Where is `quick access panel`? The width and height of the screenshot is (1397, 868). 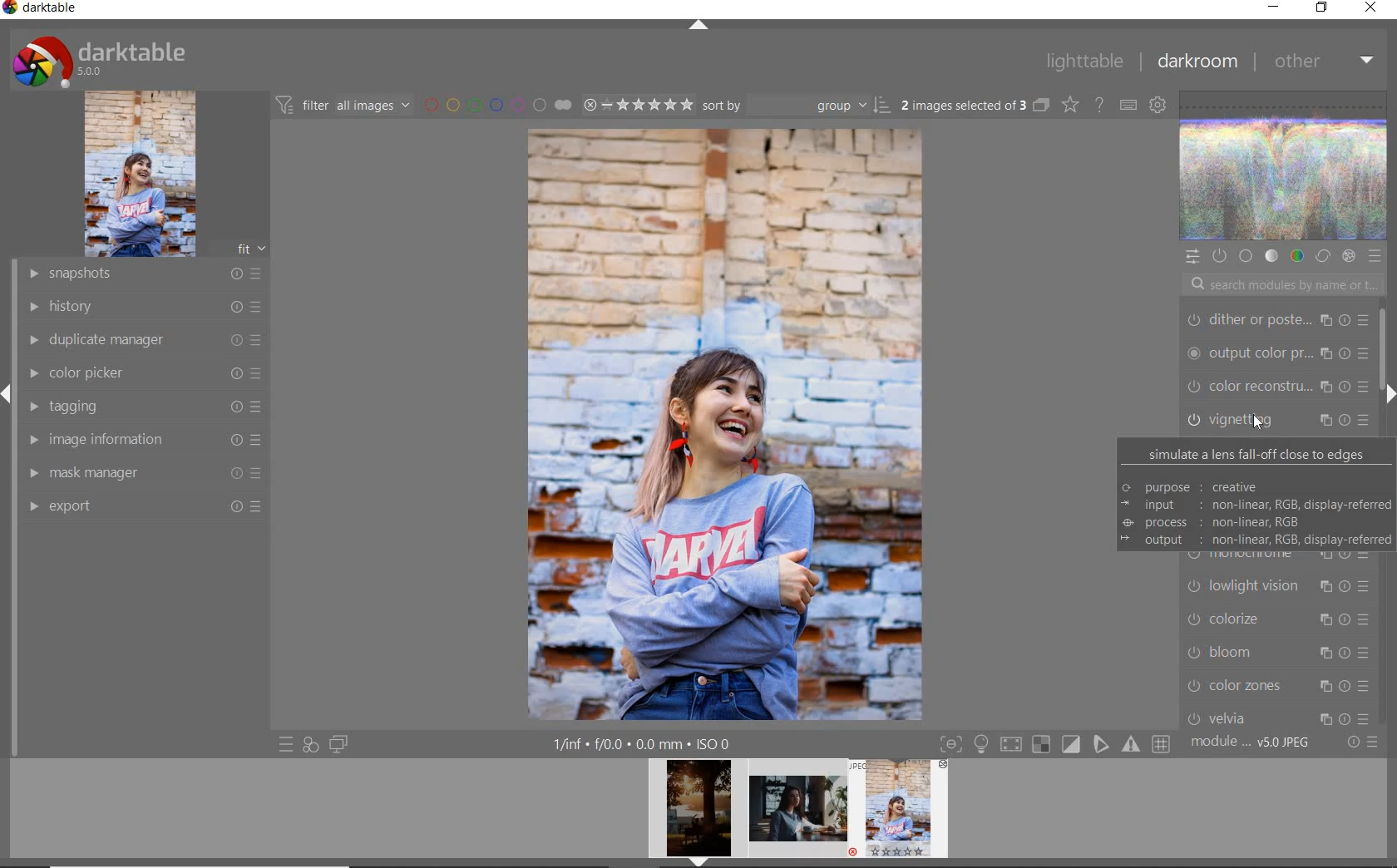 quick access panel is located at coordinates (1192, 257).